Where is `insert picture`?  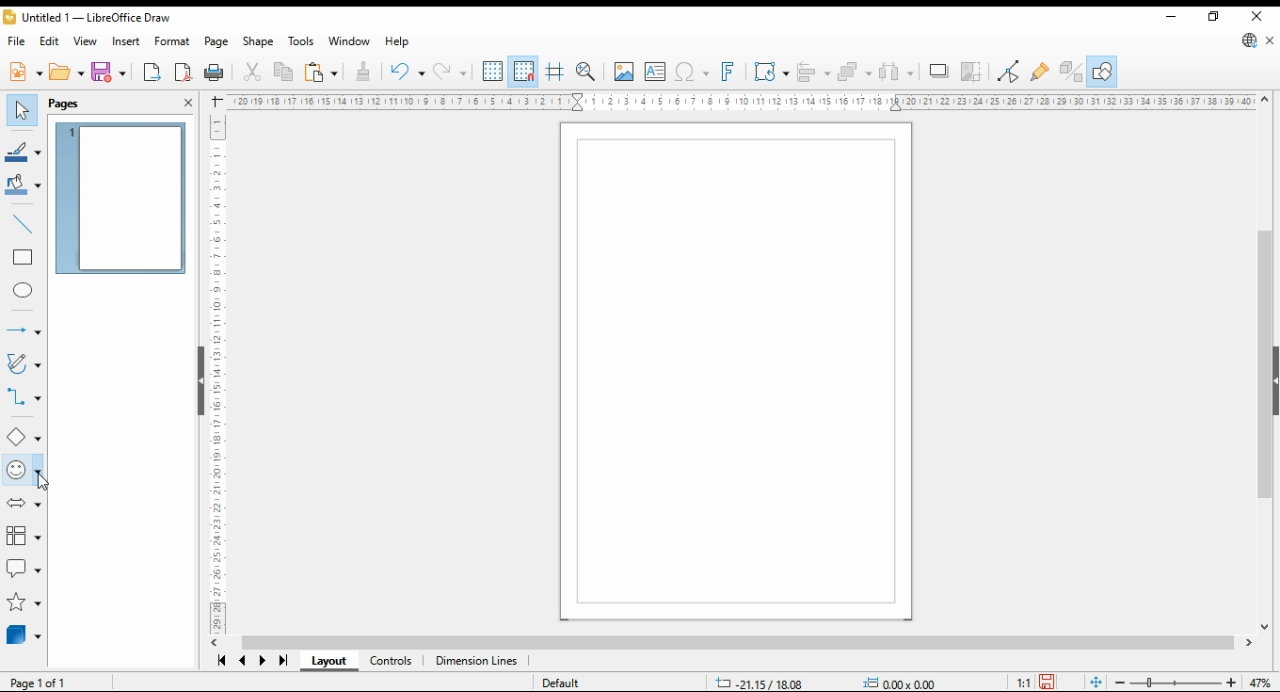 insert picture is located at coordinates (623, 72).